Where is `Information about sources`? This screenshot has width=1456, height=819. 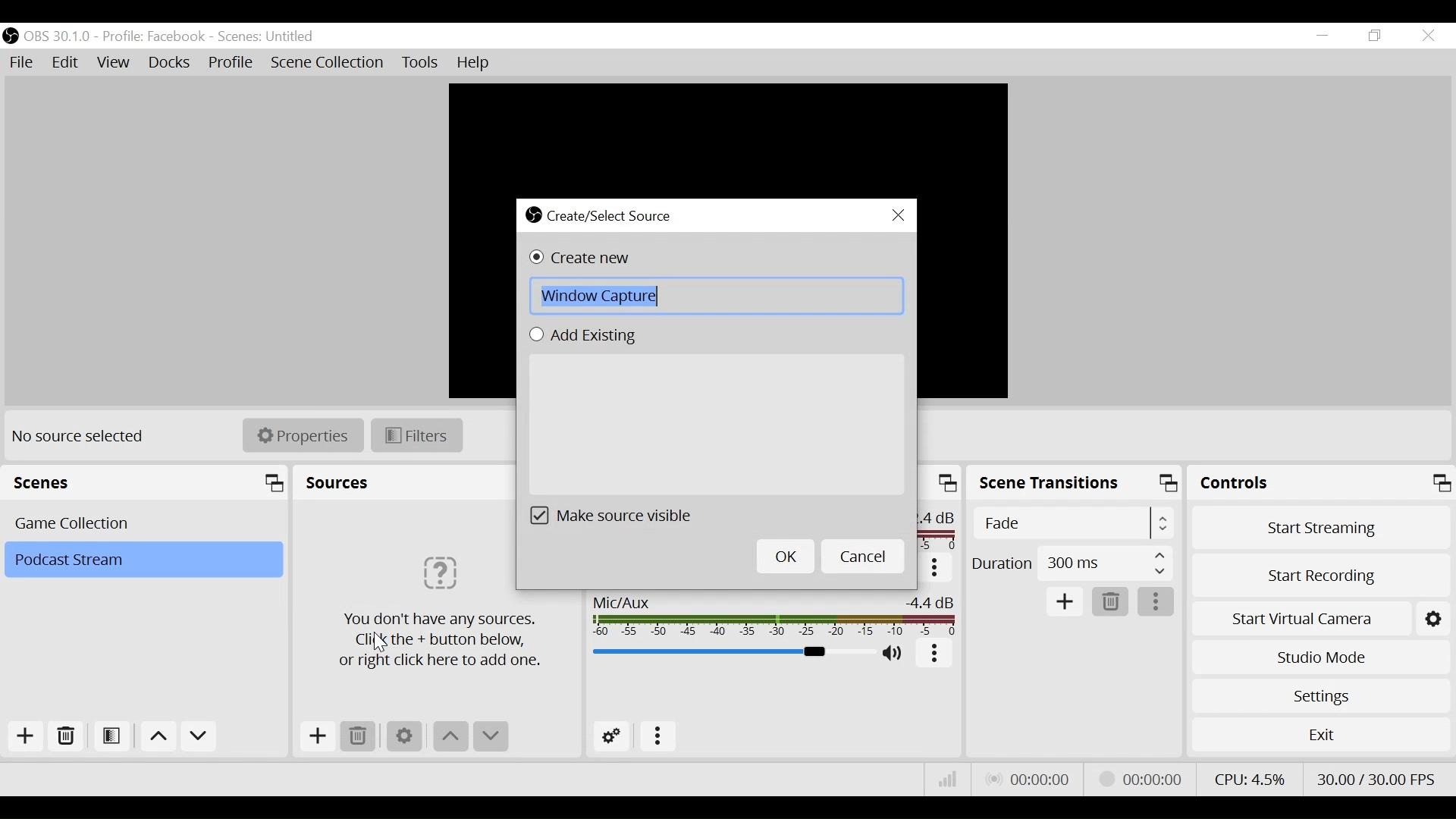 Information about sources is located at coordinates (444, 639).